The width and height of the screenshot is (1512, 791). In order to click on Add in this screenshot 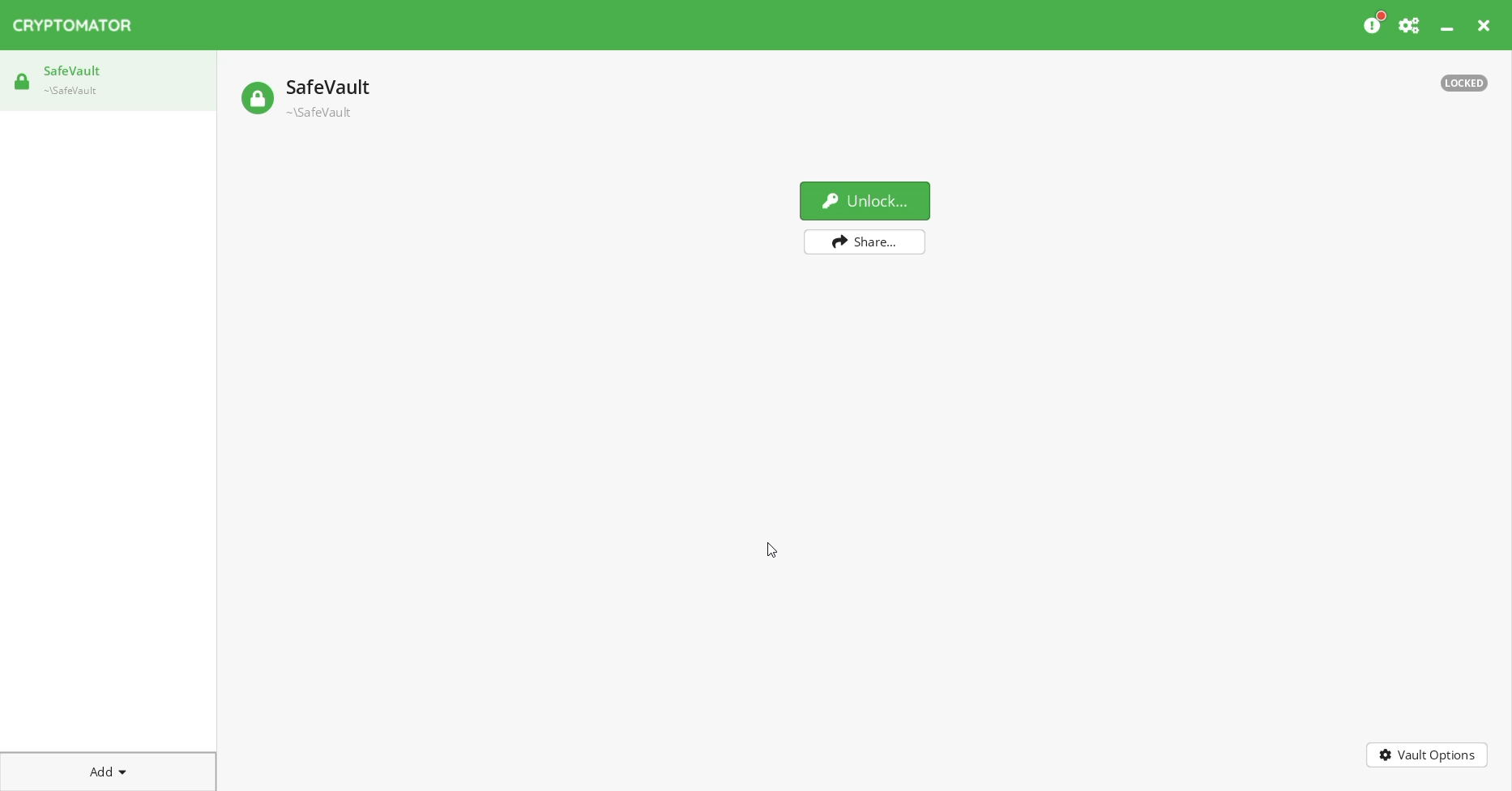, I will do `click(109, 768)`.